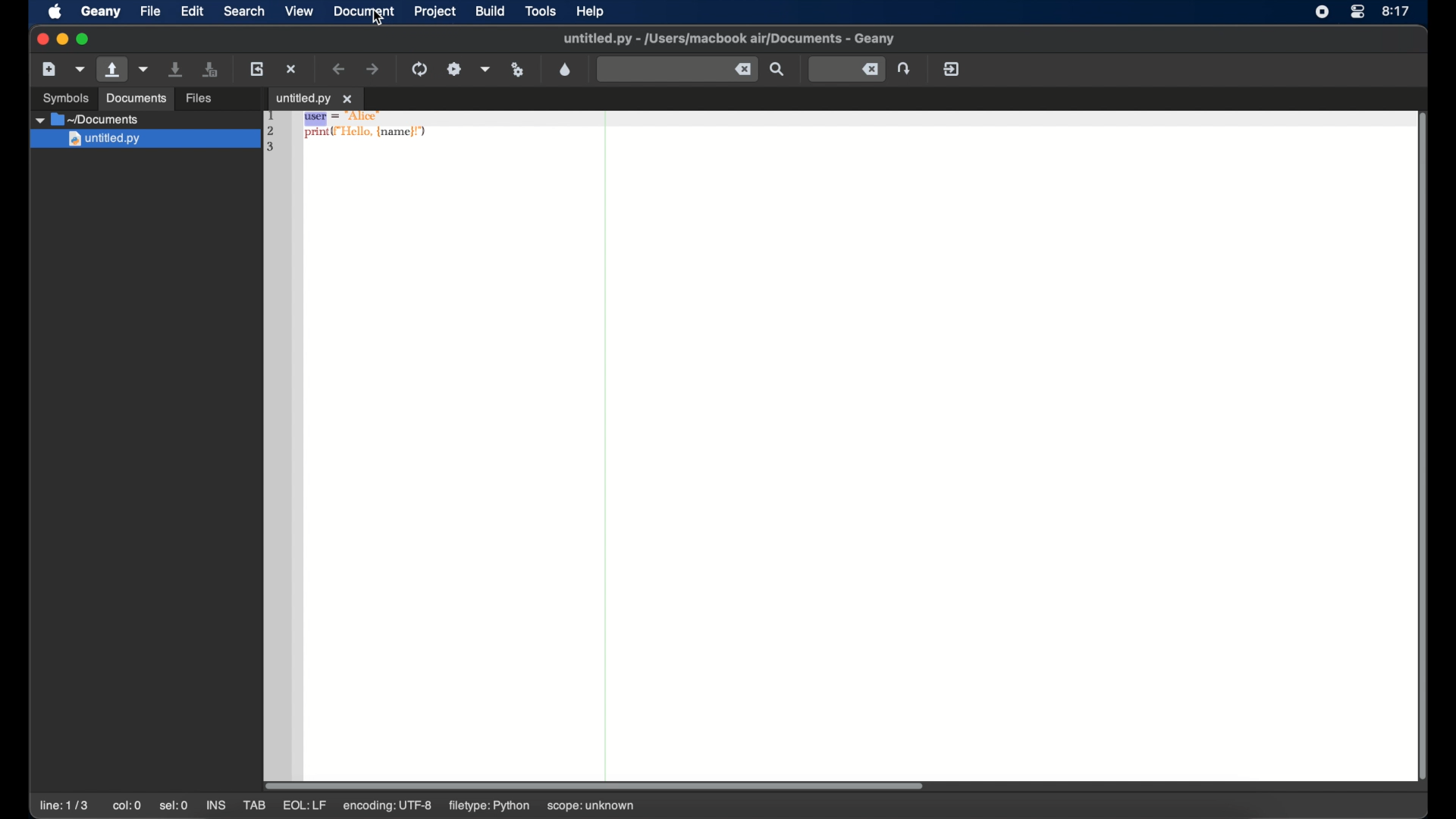 Image resolution: width=1456 pixels, height=819 pixels. I want to click on minimize, so click(62, 39).